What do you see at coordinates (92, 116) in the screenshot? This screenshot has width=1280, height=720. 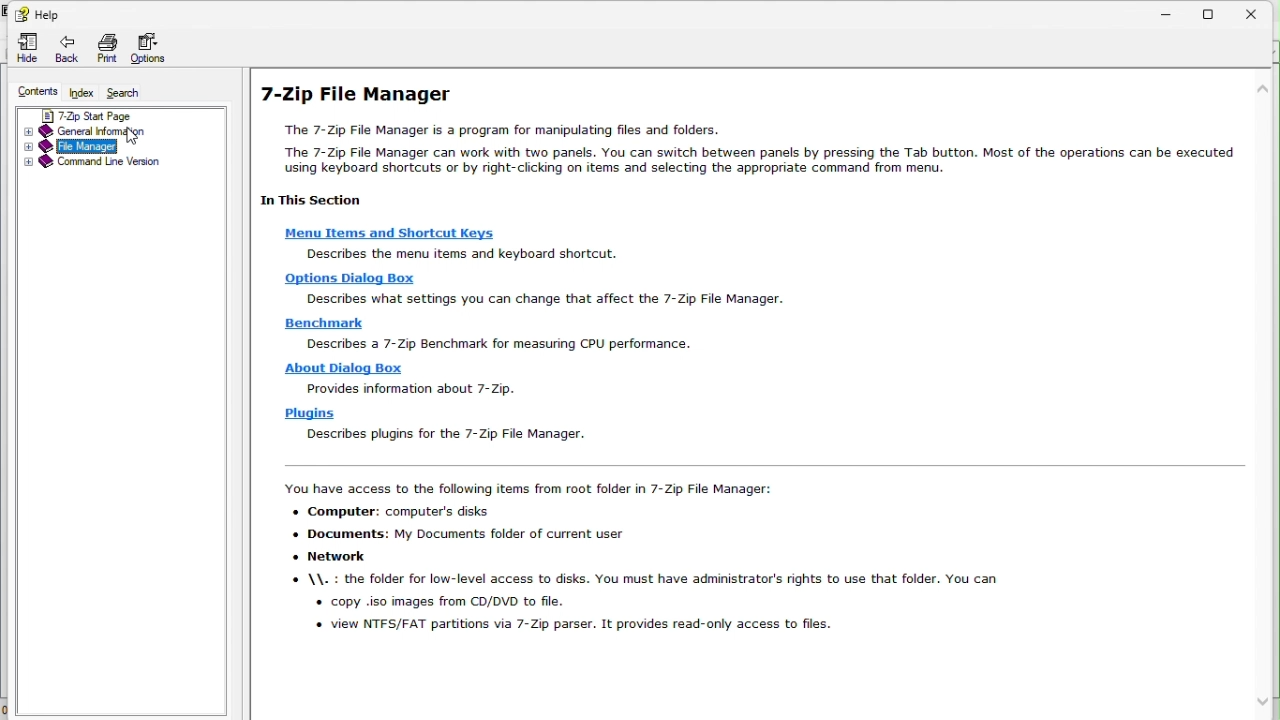 I see `7 zip start page` at bounding box center [92, 116].